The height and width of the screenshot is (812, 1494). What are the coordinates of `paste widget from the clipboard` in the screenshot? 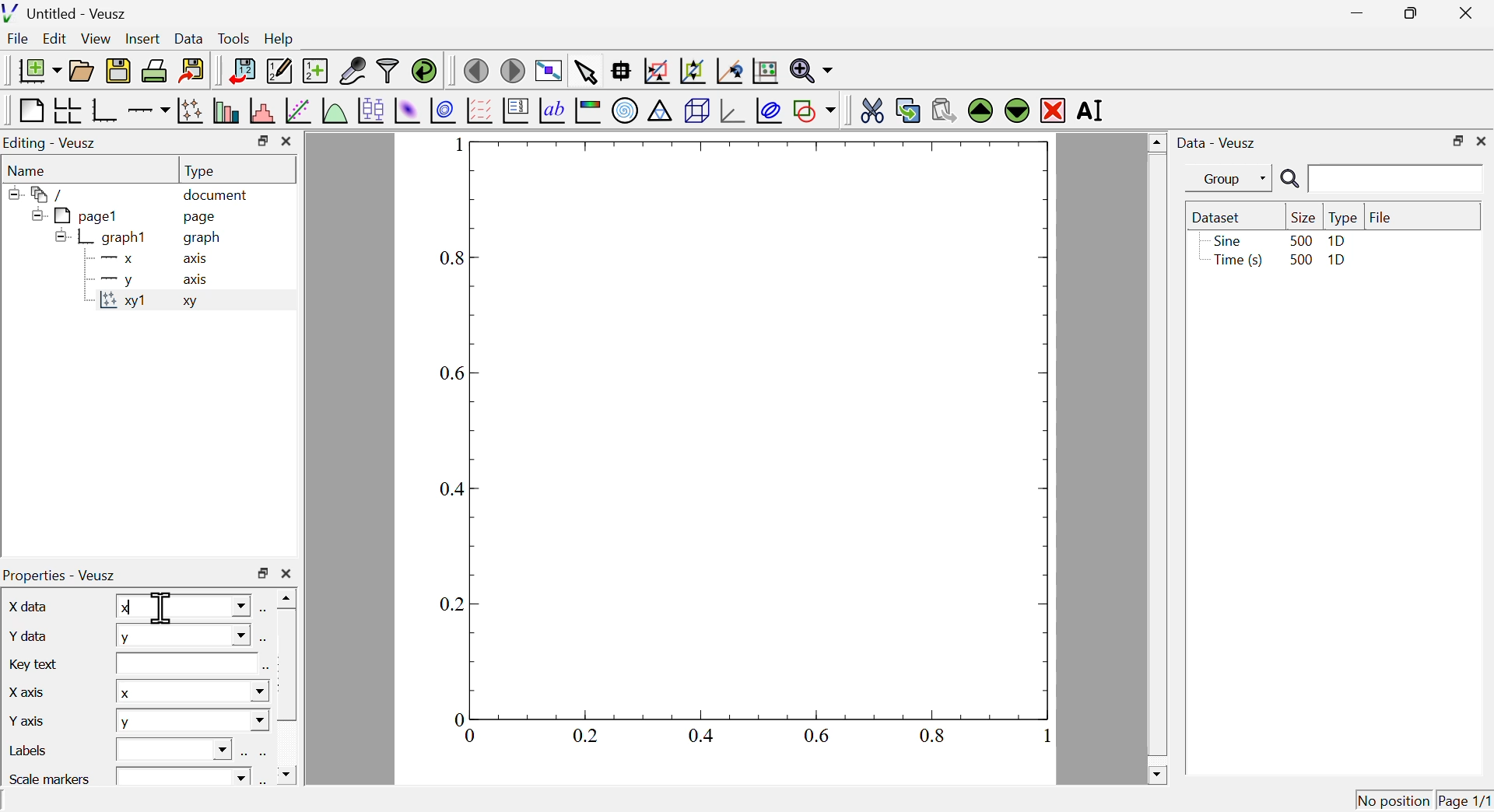 It's located at (945, 108).